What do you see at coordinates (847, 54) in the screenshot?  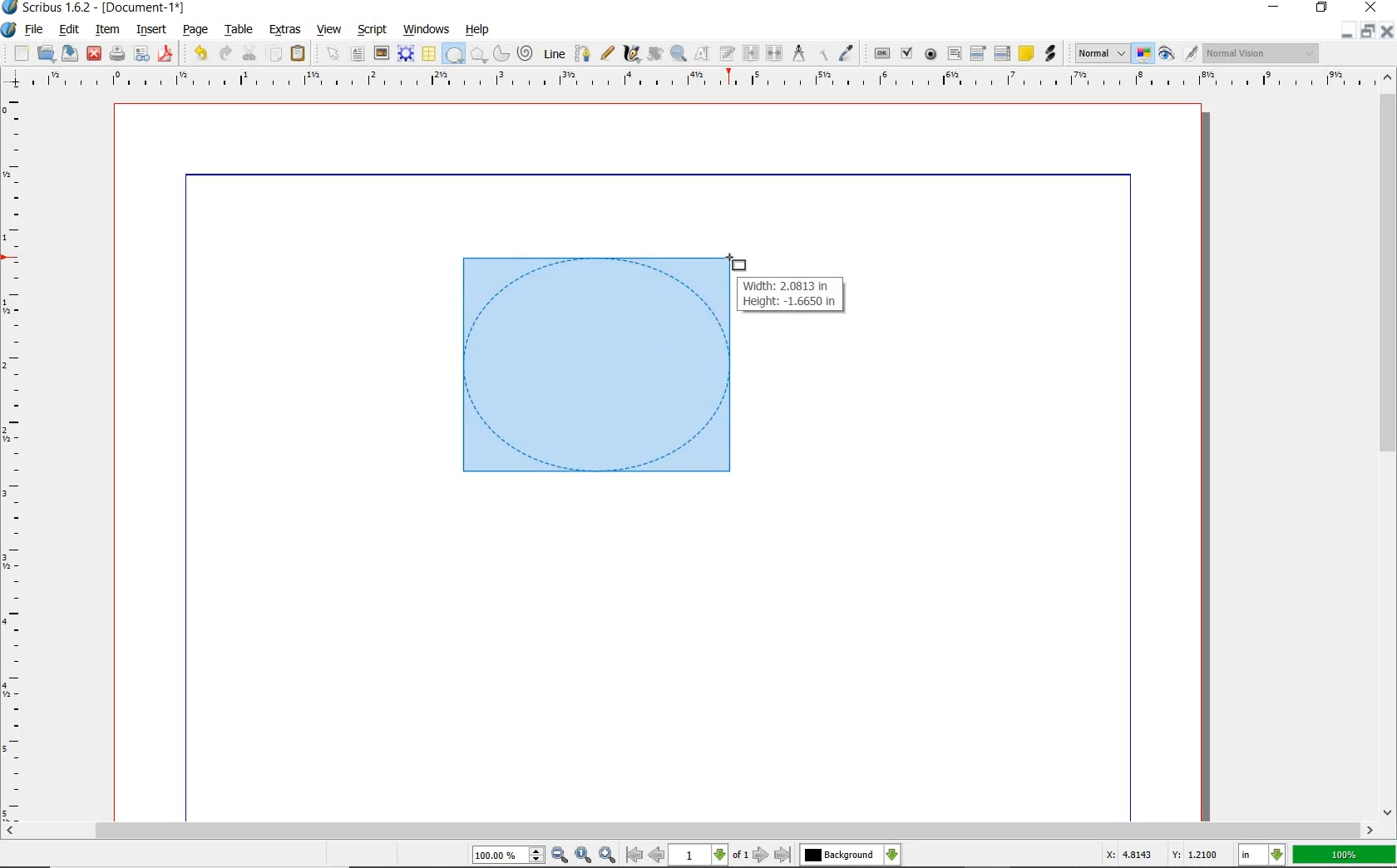 I see `EYE DROPPER` at bounding box center [847, 54].